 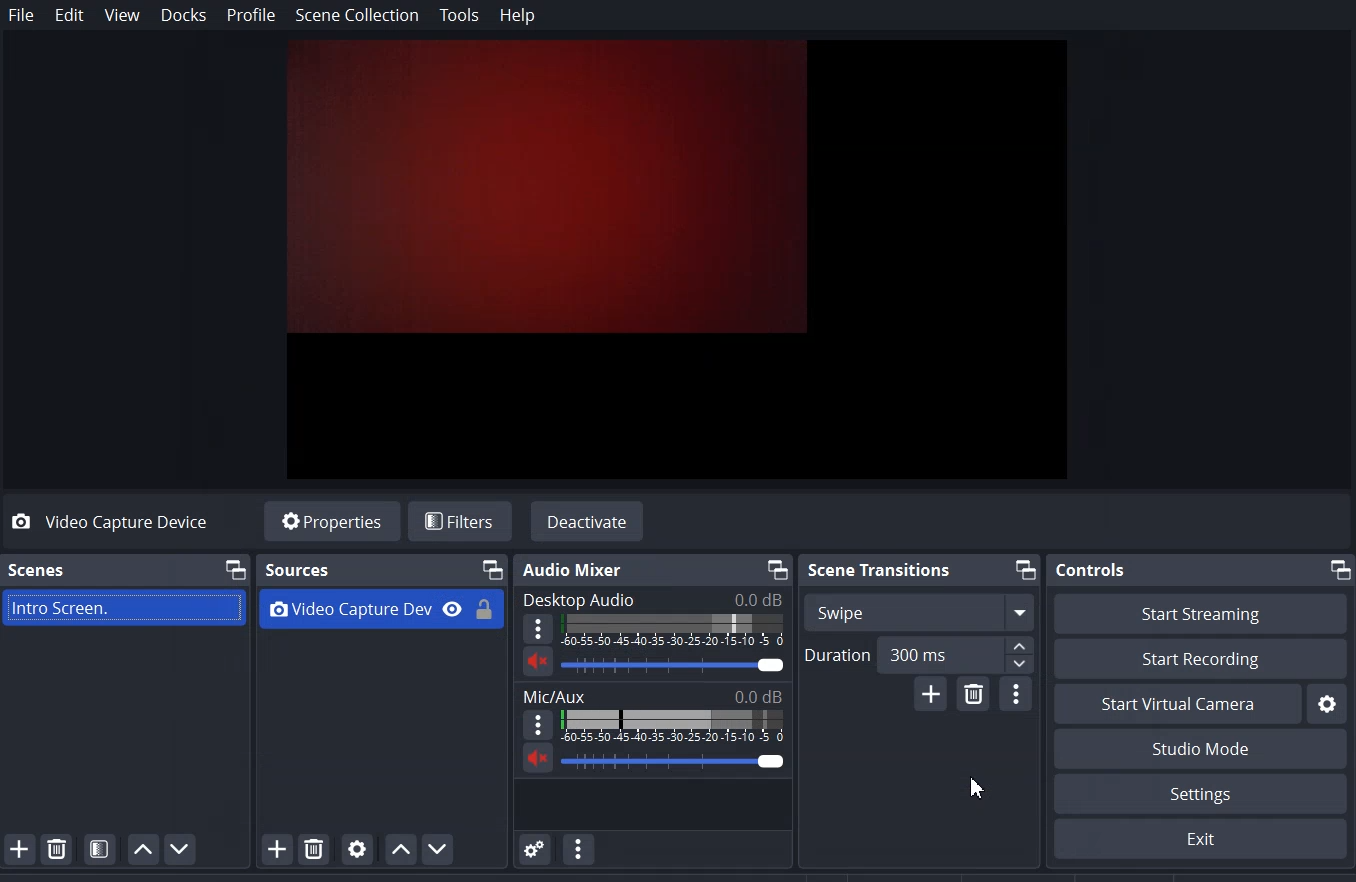 I want to click on Move Scene Down, so click(x=181, y=848).